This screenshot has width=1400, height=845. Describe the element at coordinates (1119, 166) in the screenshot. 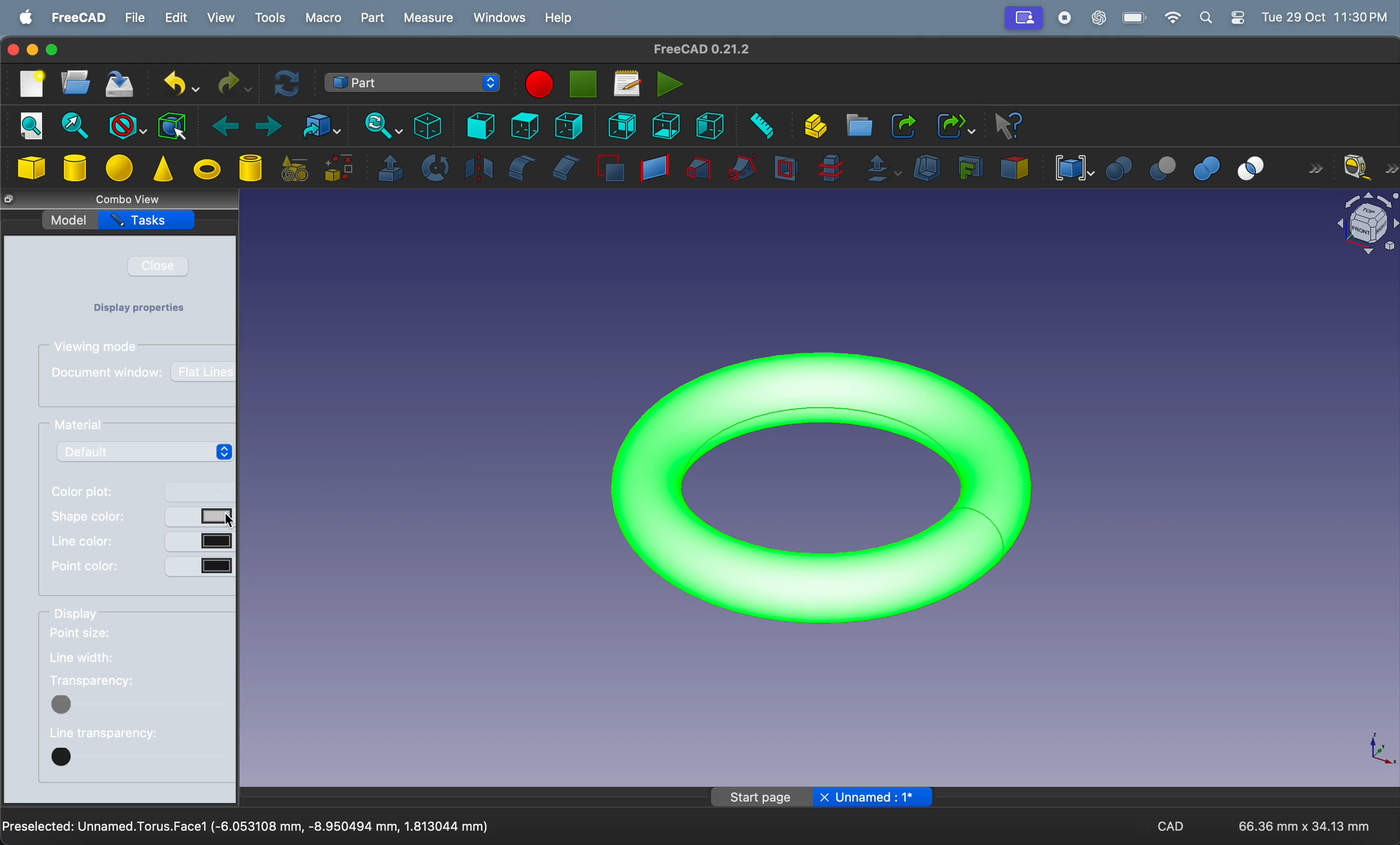

I see `boolean` at that location.